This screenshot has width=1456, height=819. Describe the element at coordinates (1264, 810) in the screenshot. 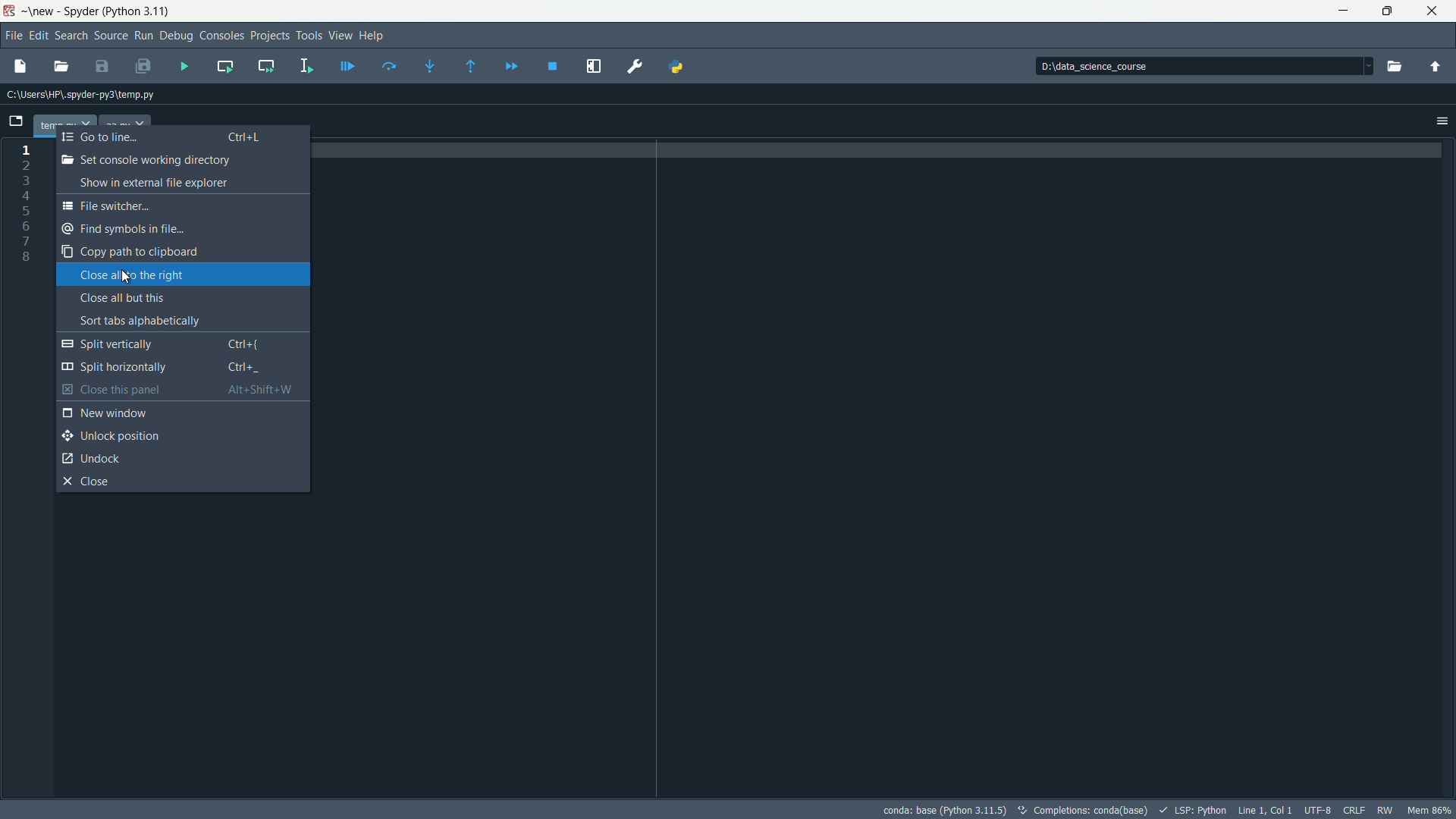

I see `cursor position` at that location.